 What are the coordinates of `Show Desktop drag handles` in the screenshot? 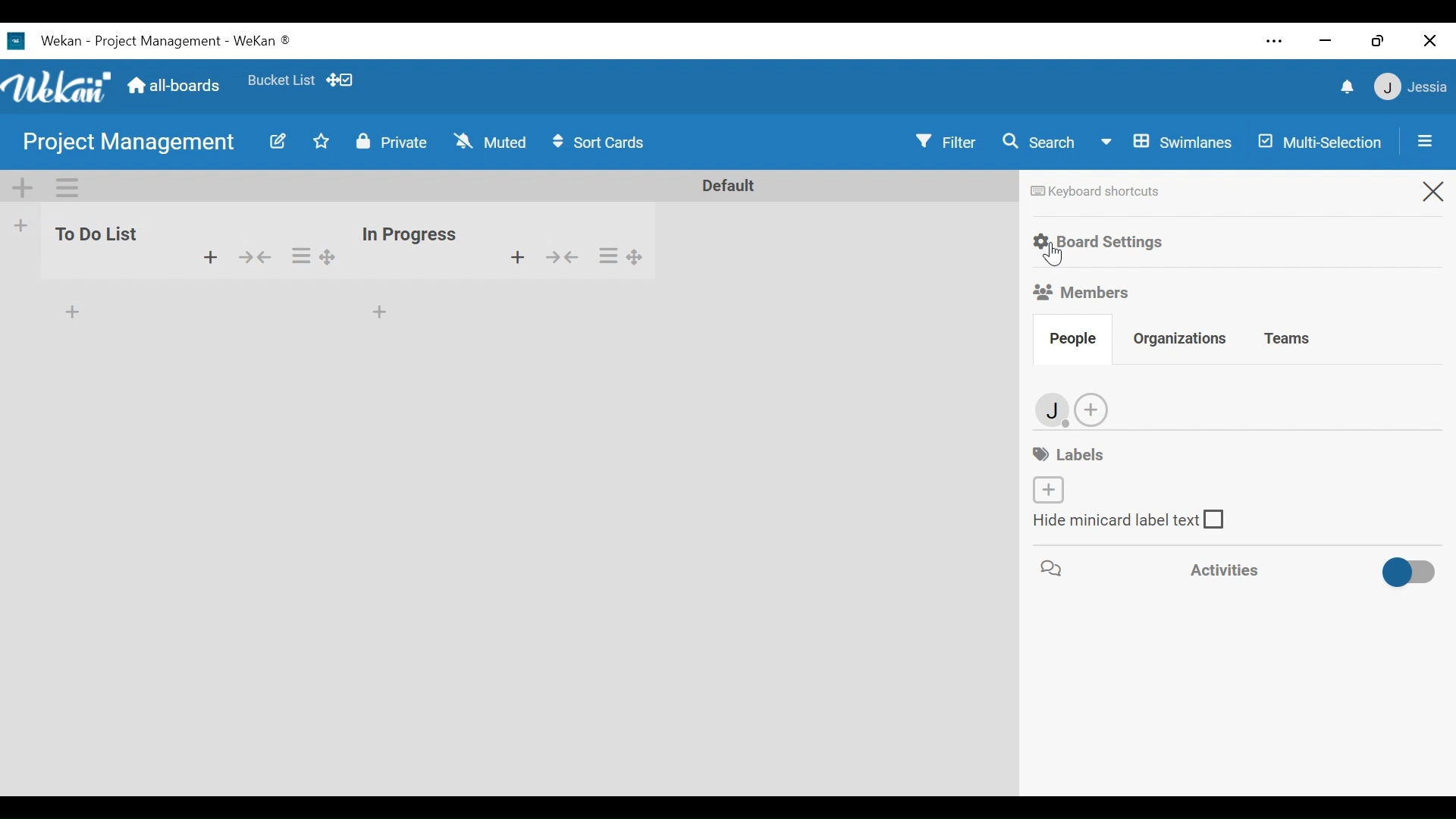 It's located at (344, 80).